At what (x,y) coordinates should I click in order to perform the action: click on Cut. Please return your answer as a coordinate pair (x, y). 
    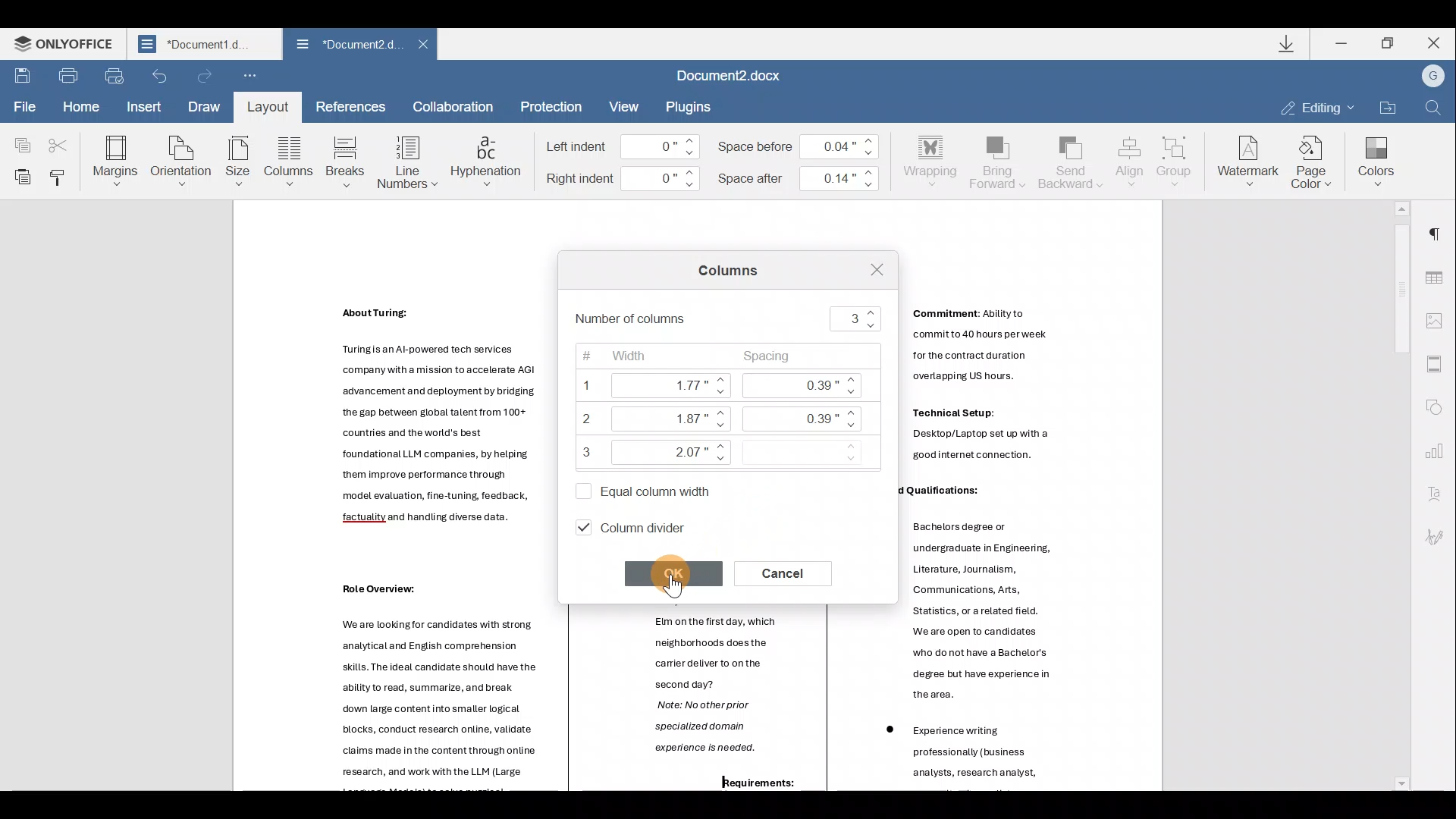
    Looking at the image, I should click on (63, 138).